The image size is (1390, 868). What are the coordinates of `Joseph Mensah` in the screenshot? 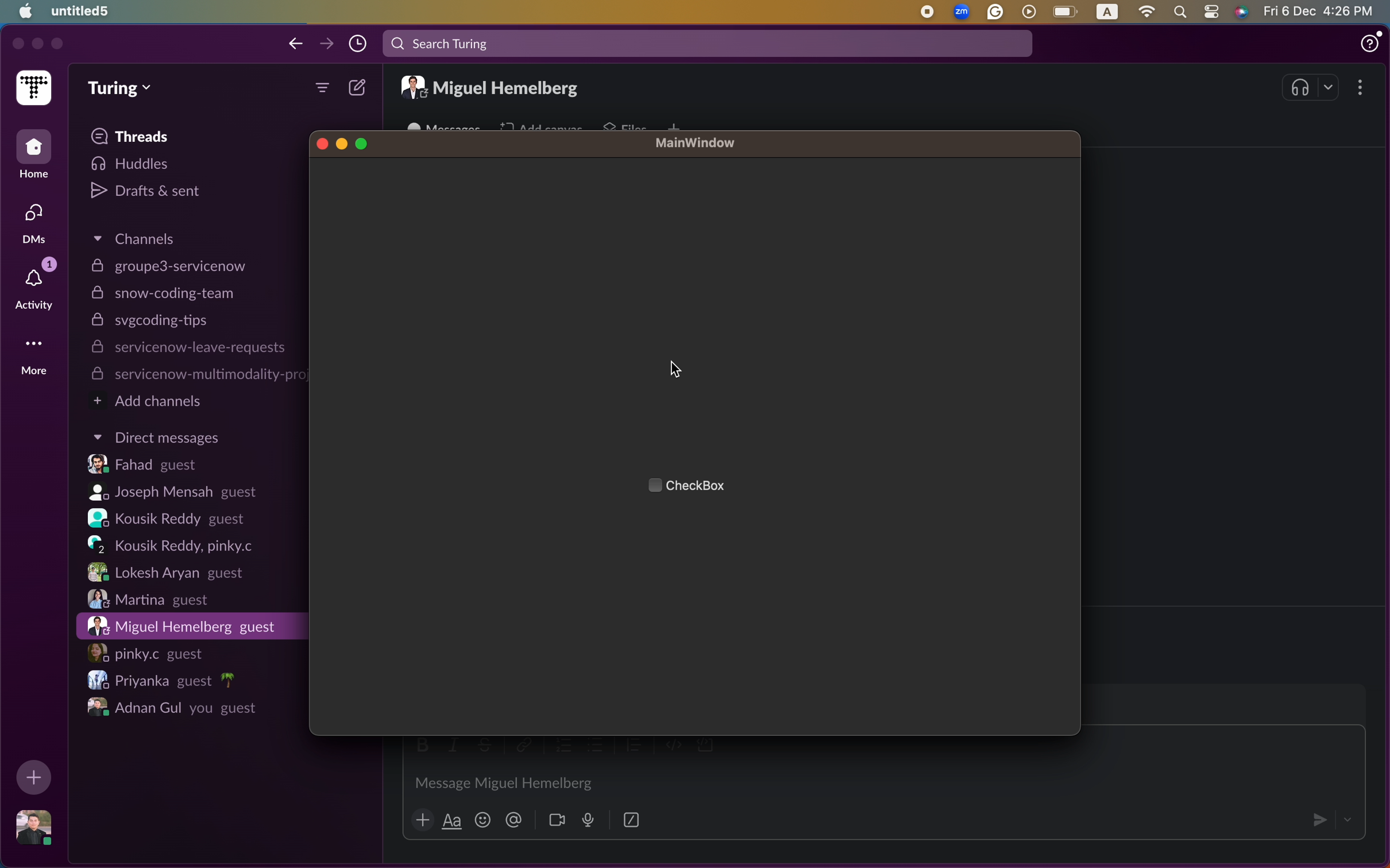 It's located at (173, 493).